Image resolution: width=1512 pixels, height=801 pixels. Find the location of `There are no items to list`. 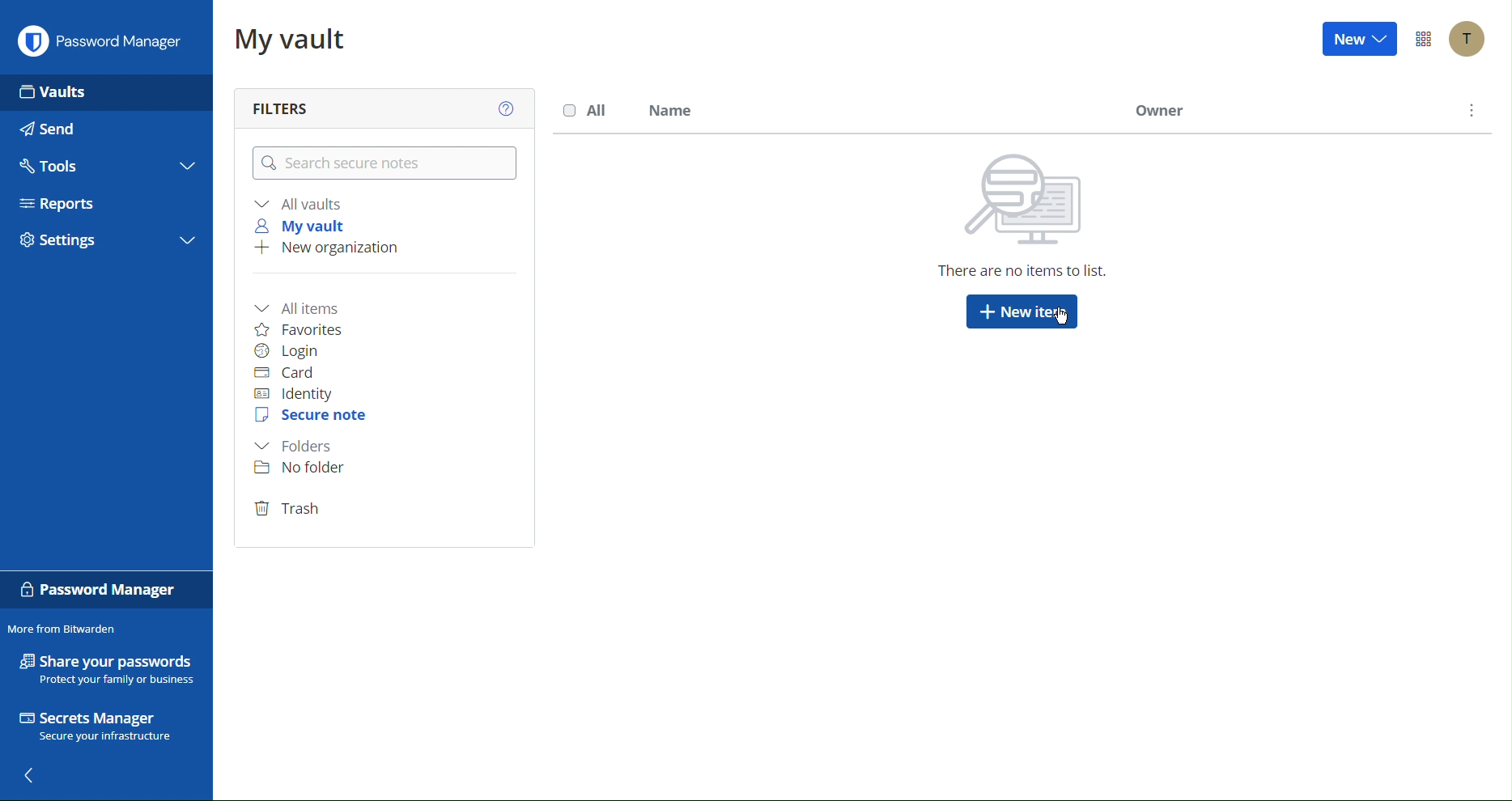

There are no items to list is located at coordinates (1013, 215).